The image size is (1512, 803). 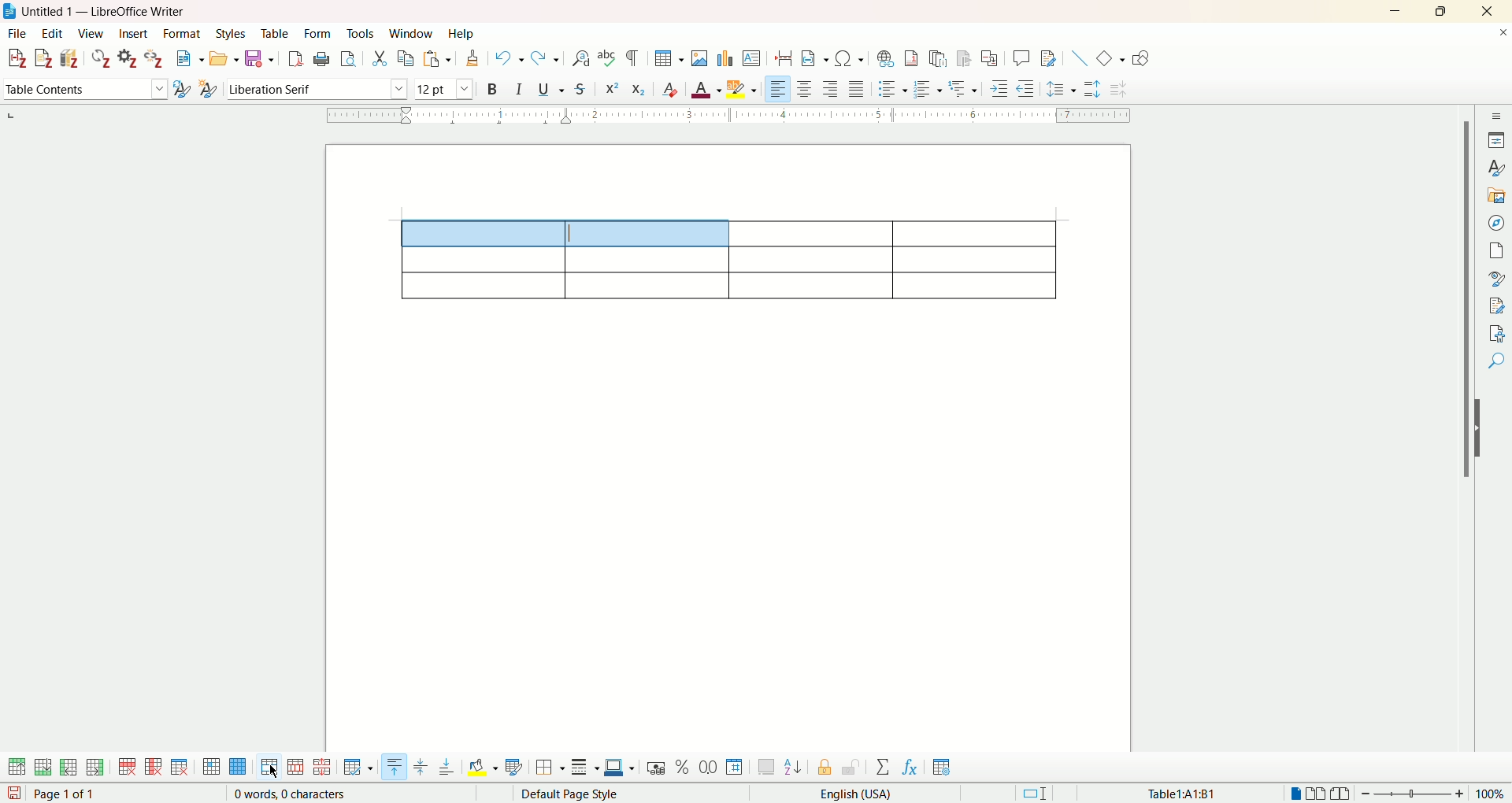 I want to click on window, so click(x=411, y=35).